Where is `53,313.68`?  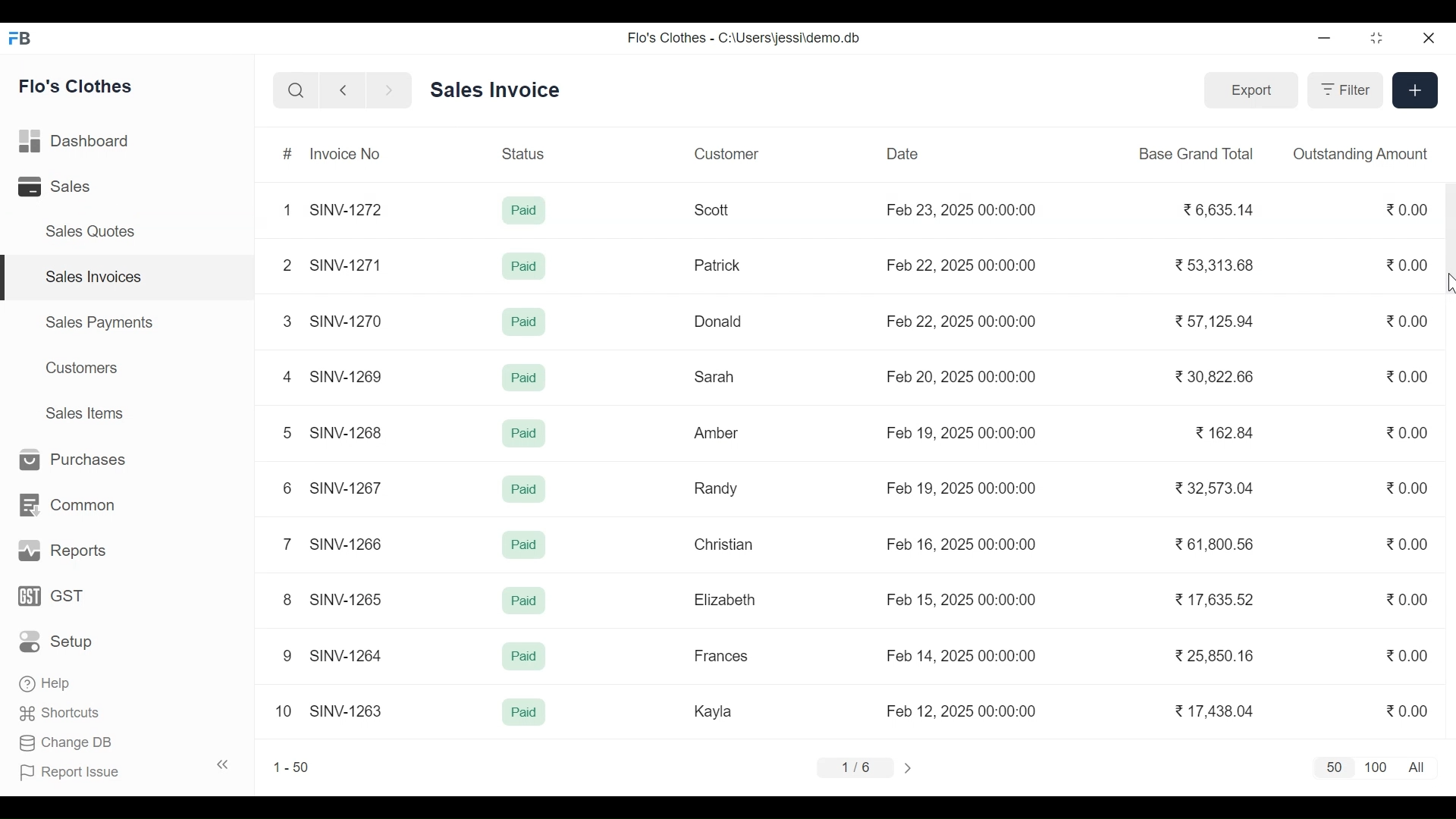
53,313.68 is located at coordinates (1213, 265).